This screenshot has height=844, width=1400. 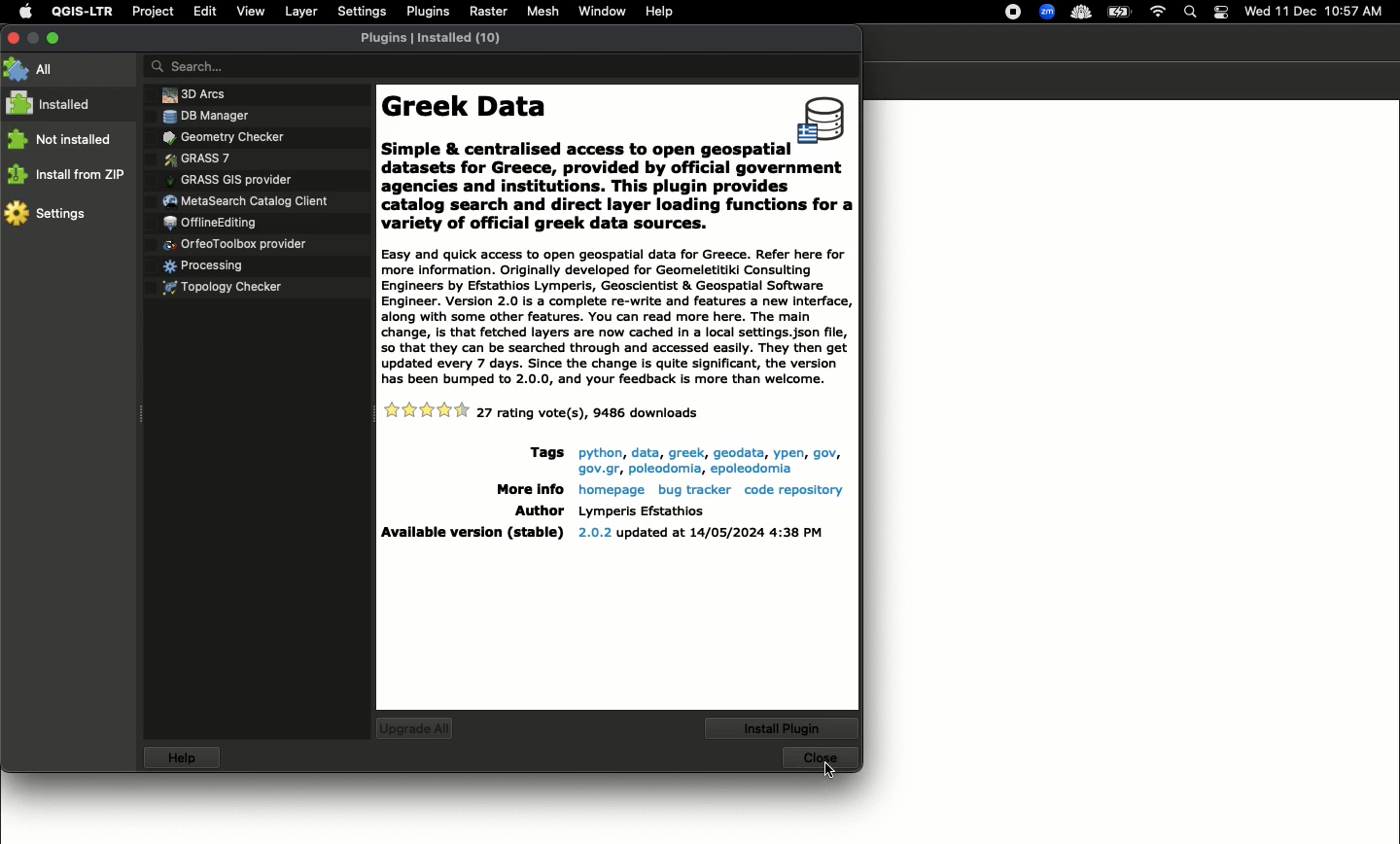 What do you see at coordinates (1159, 11) in the screenshot?
I see `Internet` at bounding box center [1159, 11].